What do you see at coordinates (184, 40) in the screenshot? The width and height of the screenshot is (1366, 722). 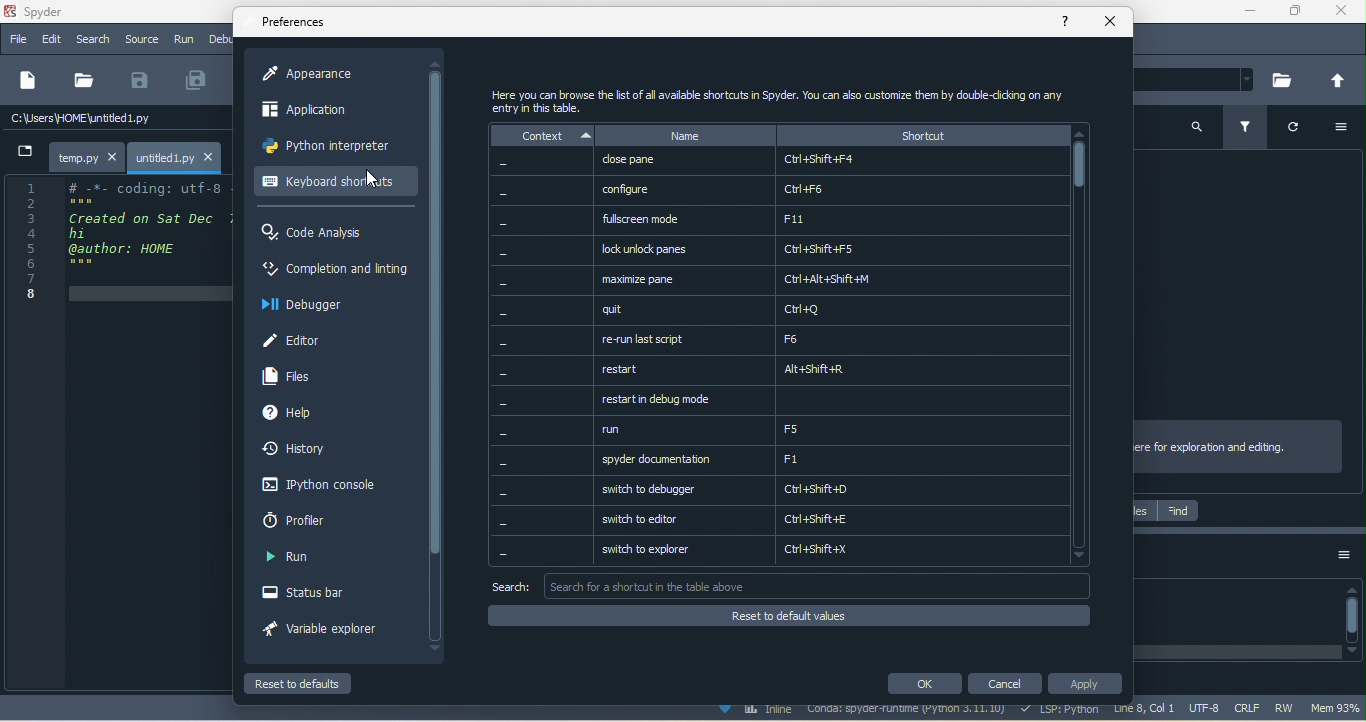 I see `run` at bounding box center [184, 40].